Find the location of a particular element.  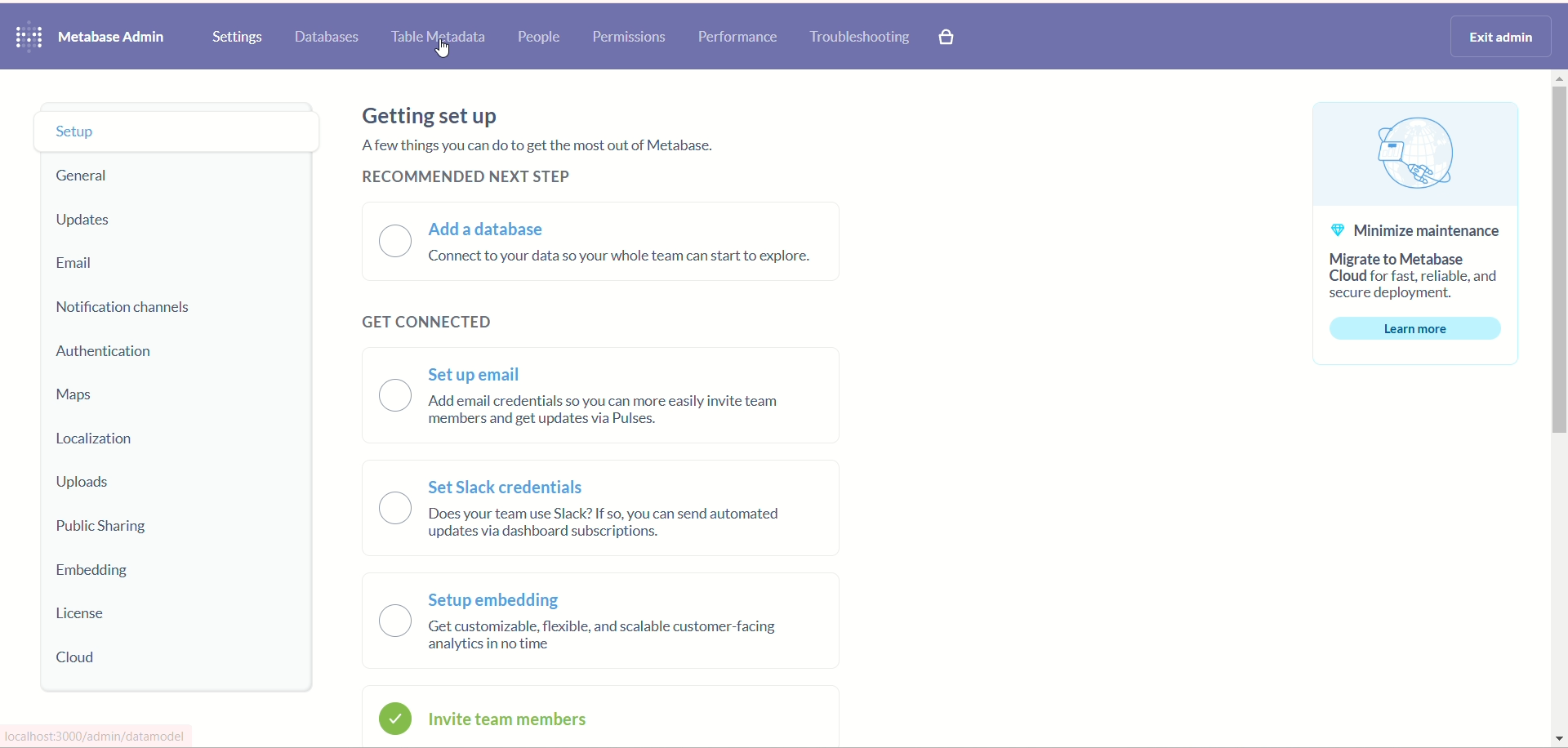

paid features is located at coordinates (949, 39).